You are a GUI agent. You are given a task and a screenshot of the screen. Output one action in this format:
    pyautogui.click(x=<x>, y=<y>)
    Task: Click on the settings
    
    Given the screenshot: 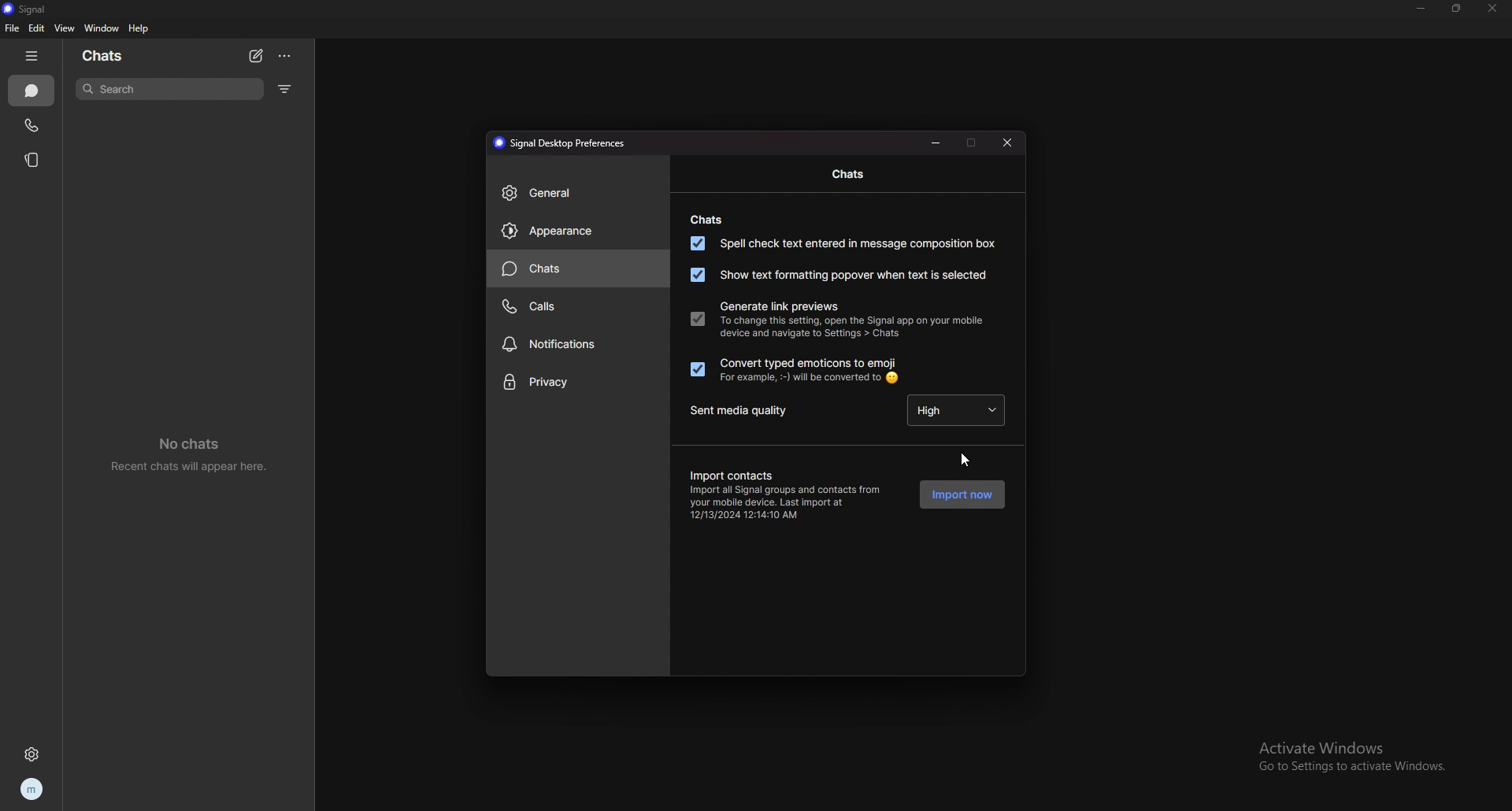 What is the action you would take?
    pyautogui.click(x=33, y=755)
    